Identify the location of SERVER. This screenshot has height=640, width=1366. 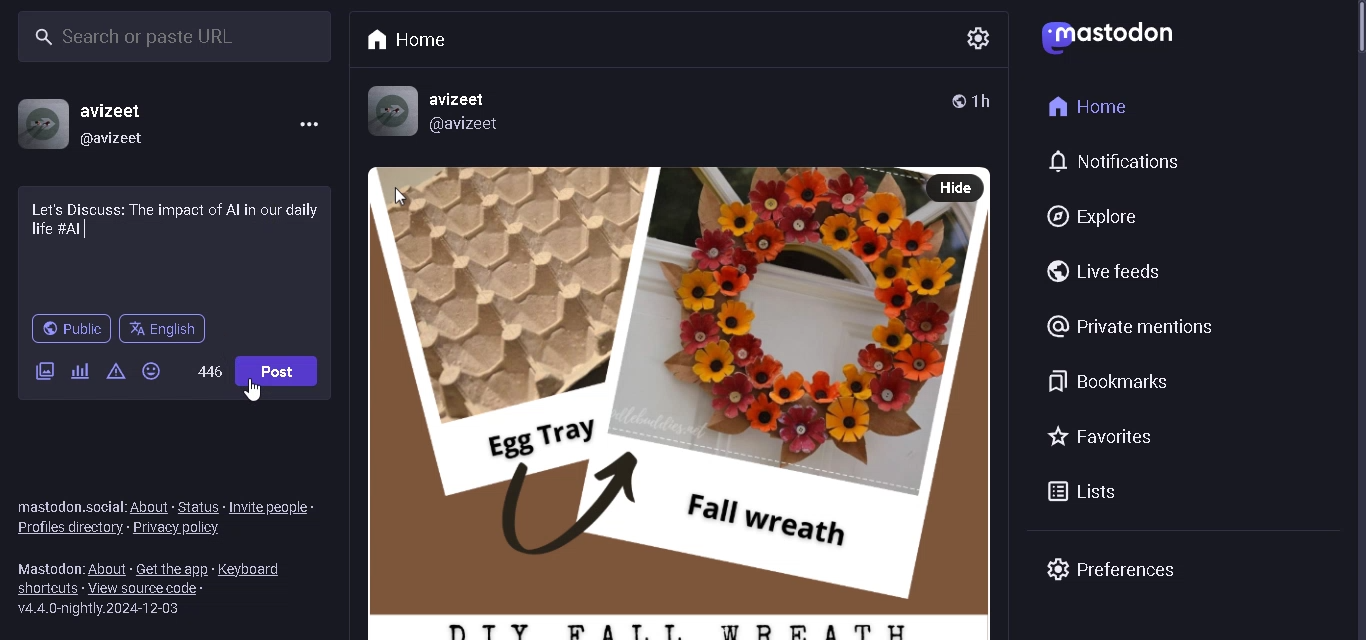
(103, 612).